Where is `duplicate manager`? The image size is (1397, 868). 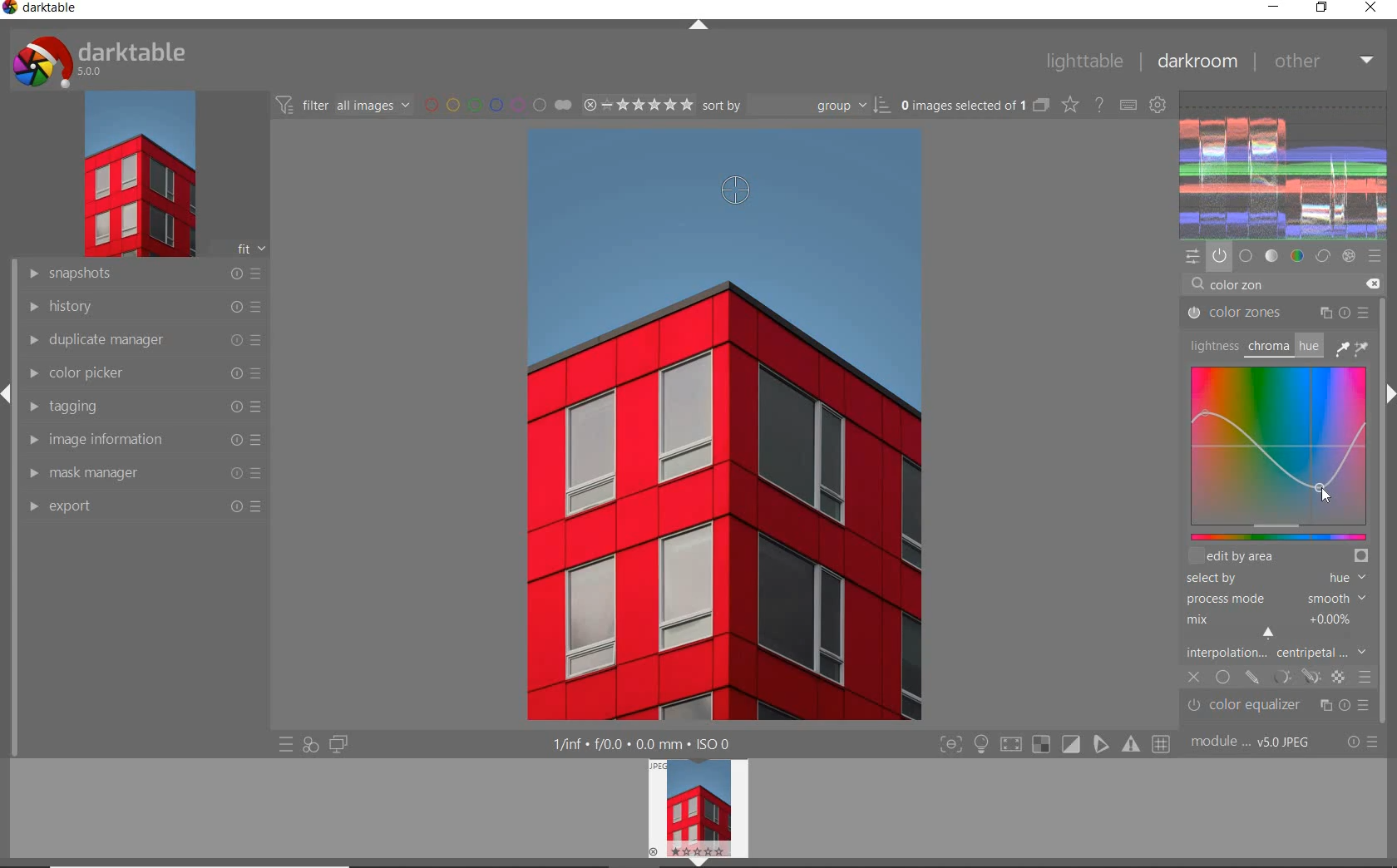
duplicate manager is located at coordinates (140, 342).